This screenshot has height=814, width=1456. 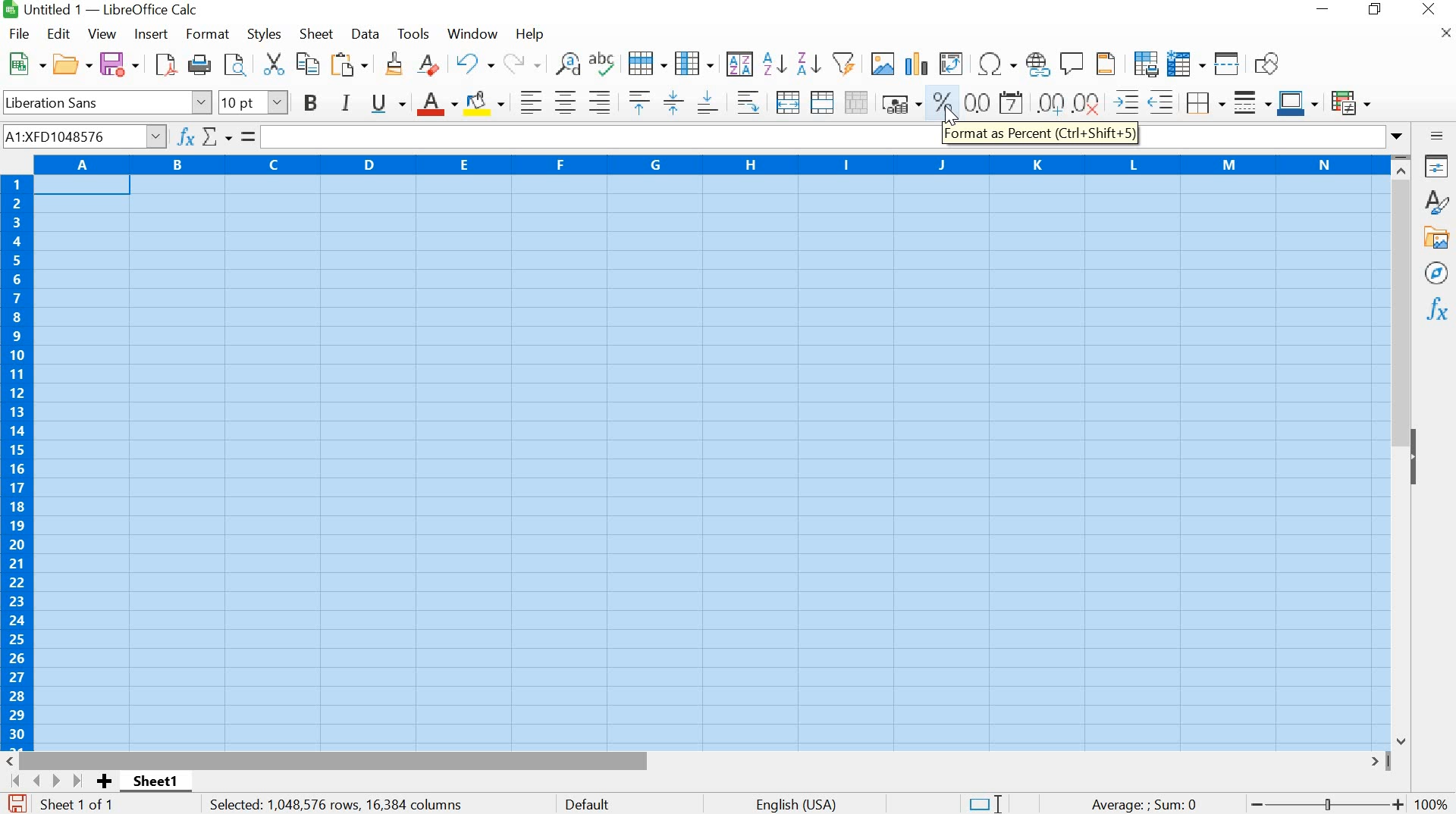 I want to click on formula, so click(x=246, y=136).